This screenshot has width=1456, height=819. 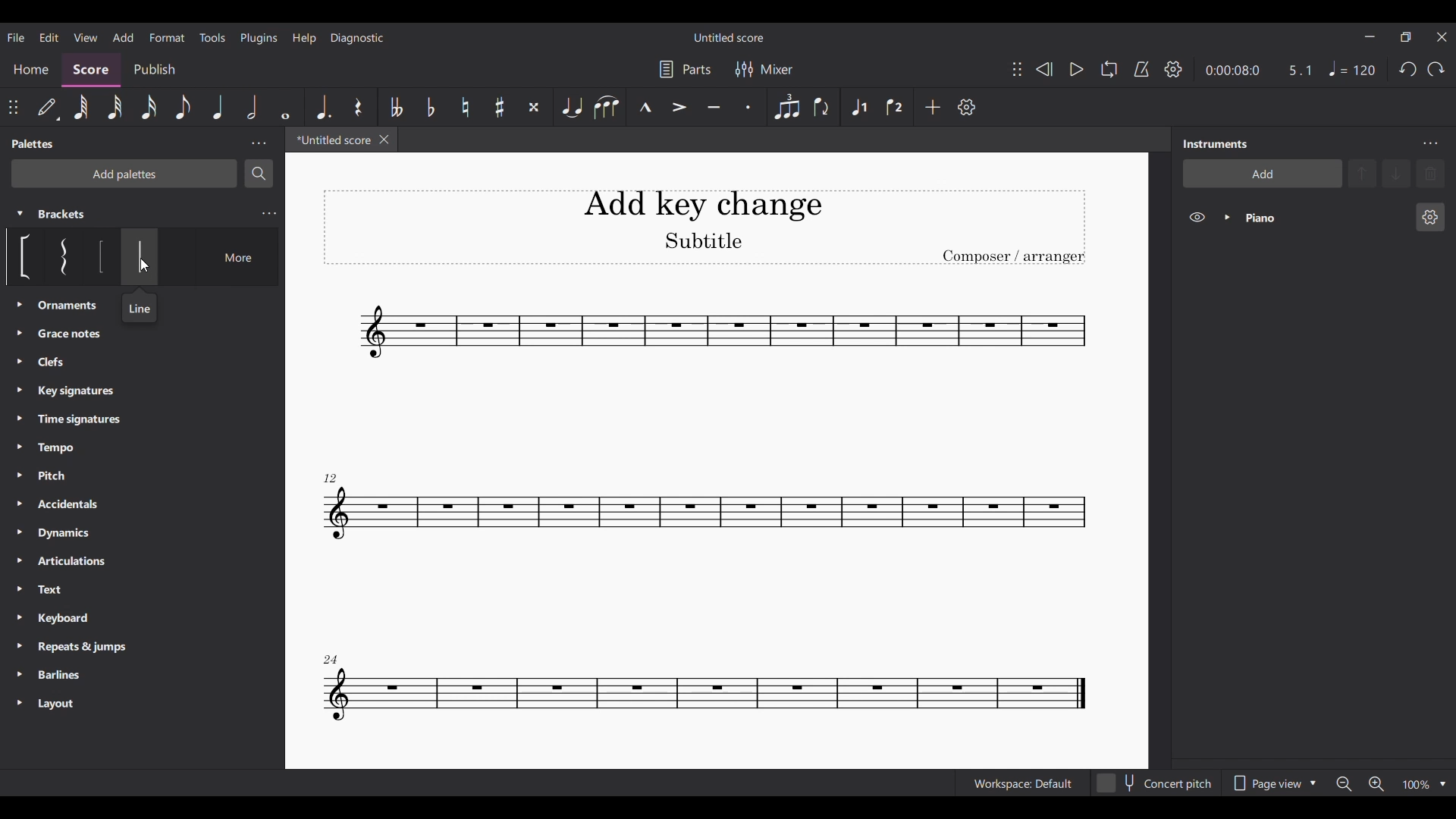 What do you see at coordinates (606, 108) in the screenshot?
I see `Slur` at bounding box center [606, 108].